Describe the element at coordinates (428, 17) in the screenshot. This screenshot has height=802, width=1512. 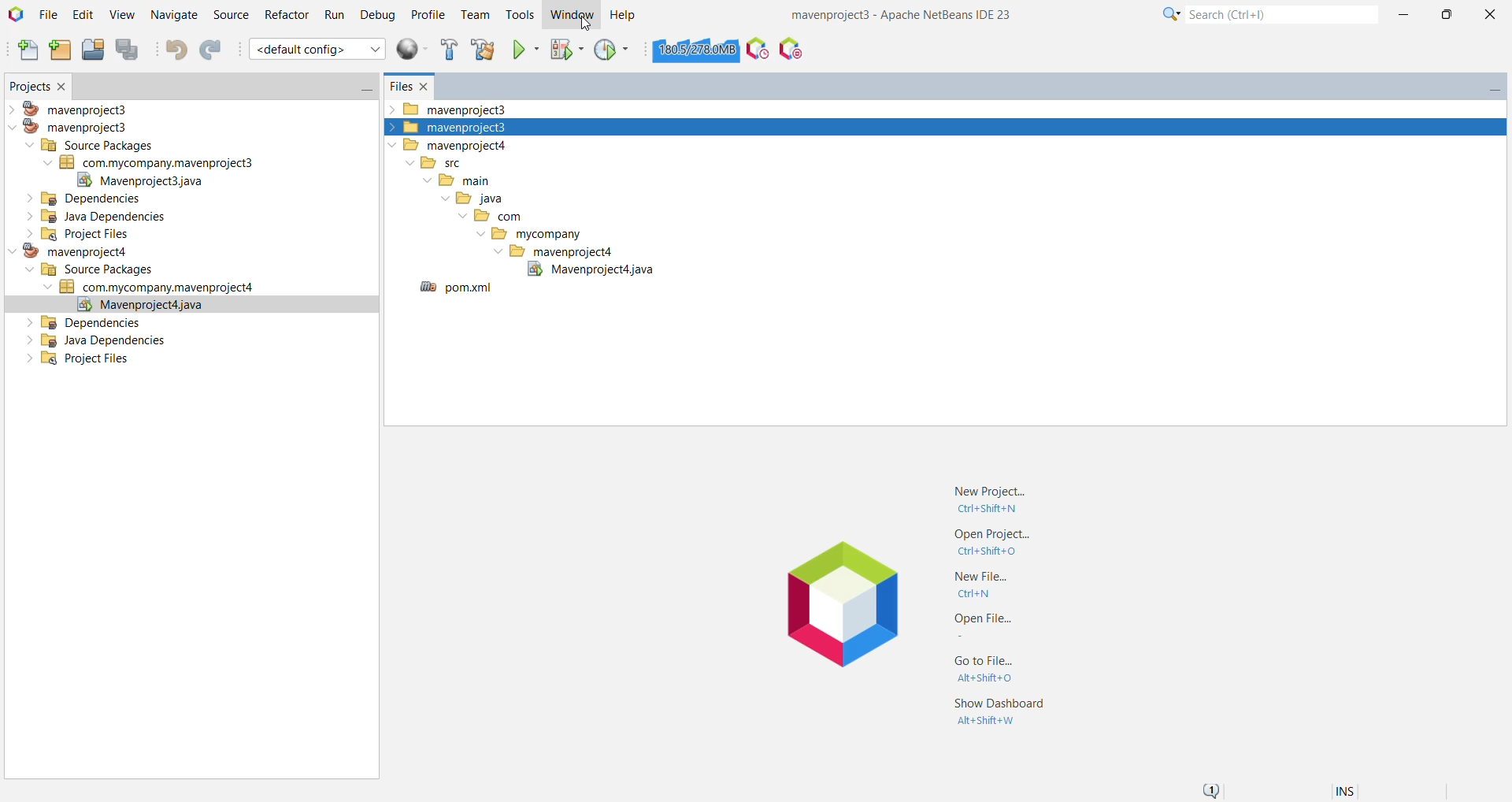
I see `Profile` at that location.